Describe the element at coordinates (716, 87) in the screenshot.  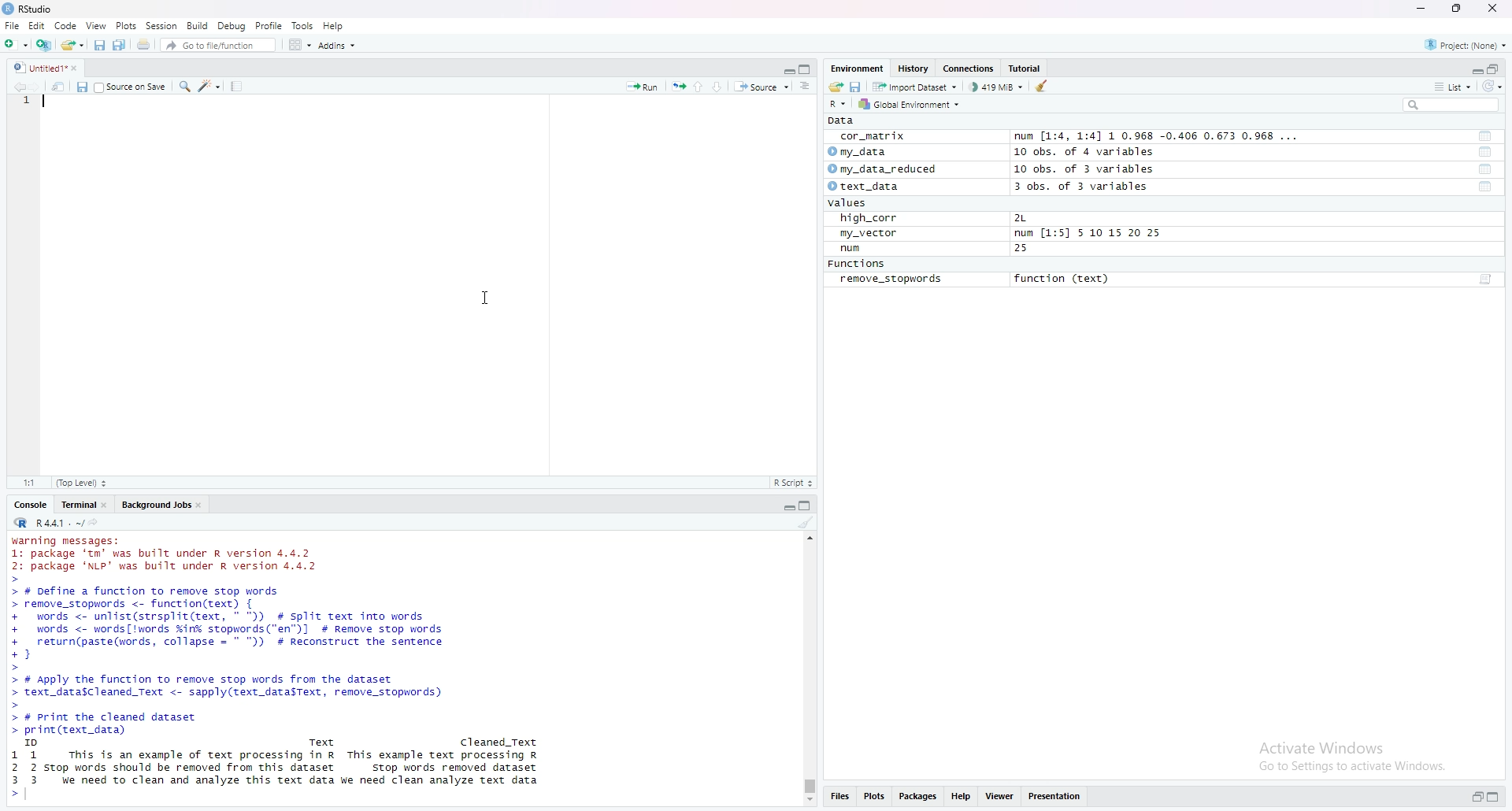
I see `Next section` at that location.